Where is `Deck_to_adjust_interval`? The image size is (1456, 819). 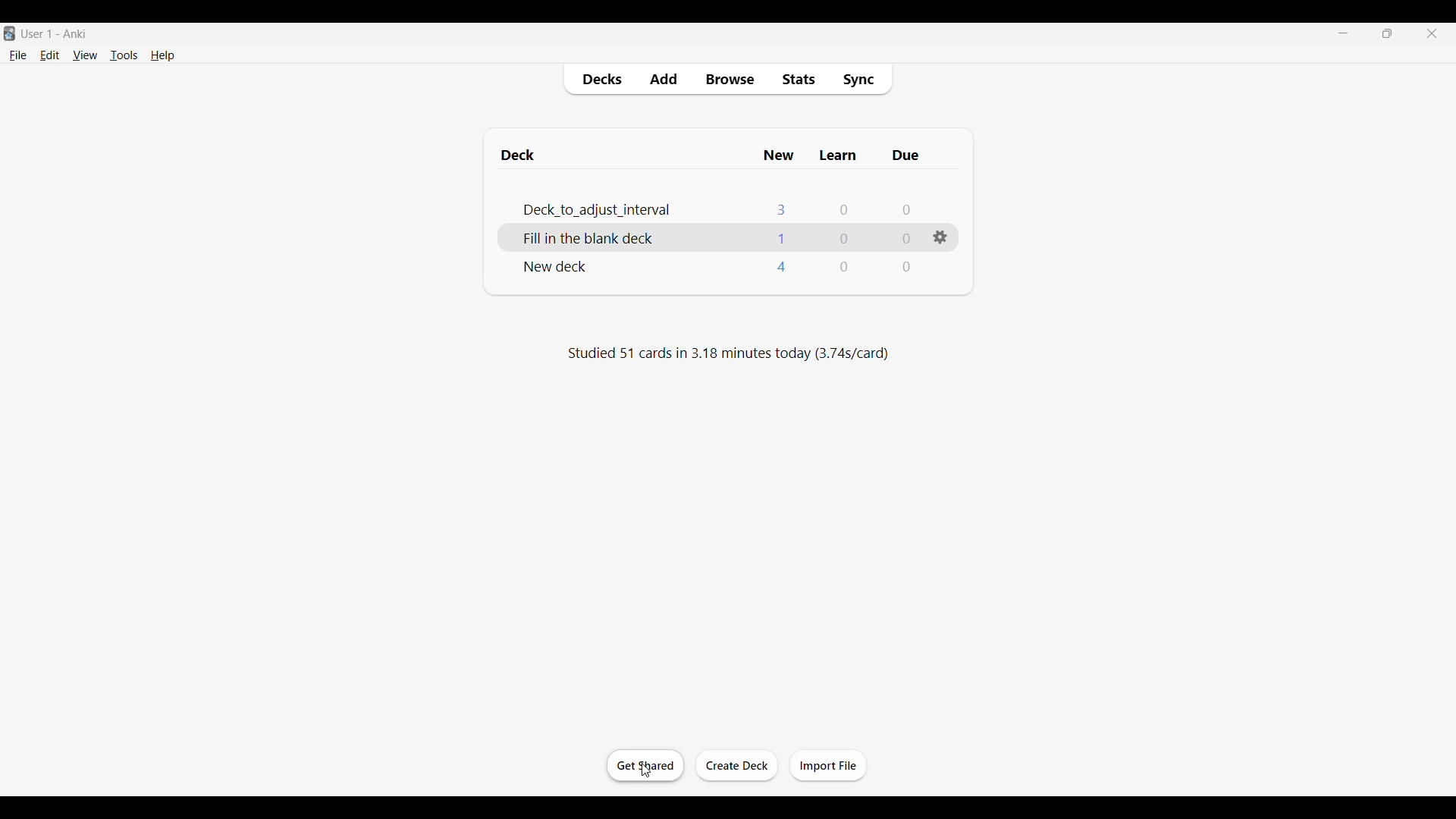
Deck_to_adjust_interval is located at coordinates (580, 209).